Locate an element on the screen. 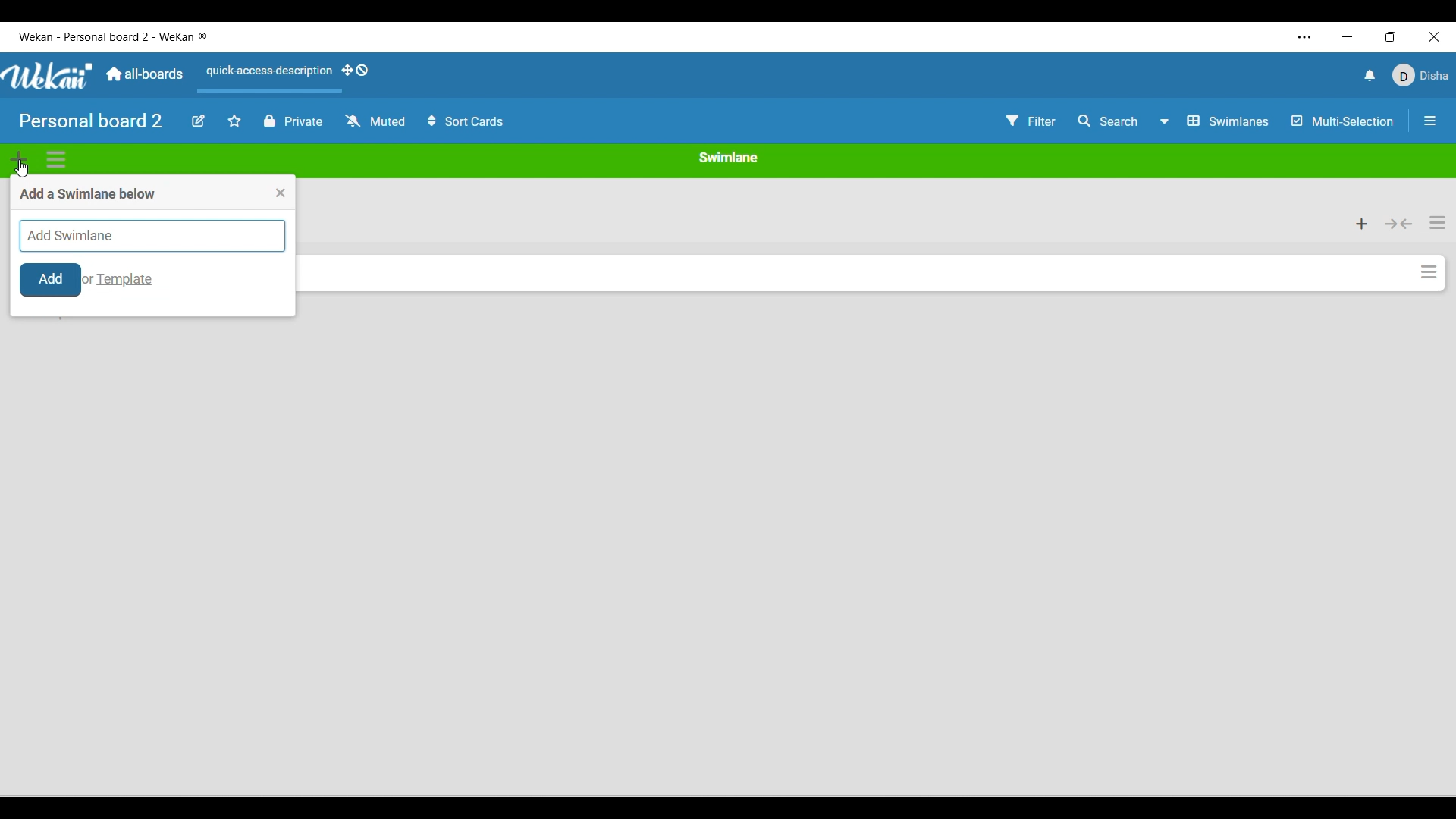  Show desktop drag handles is located at coordinates (356, 70).